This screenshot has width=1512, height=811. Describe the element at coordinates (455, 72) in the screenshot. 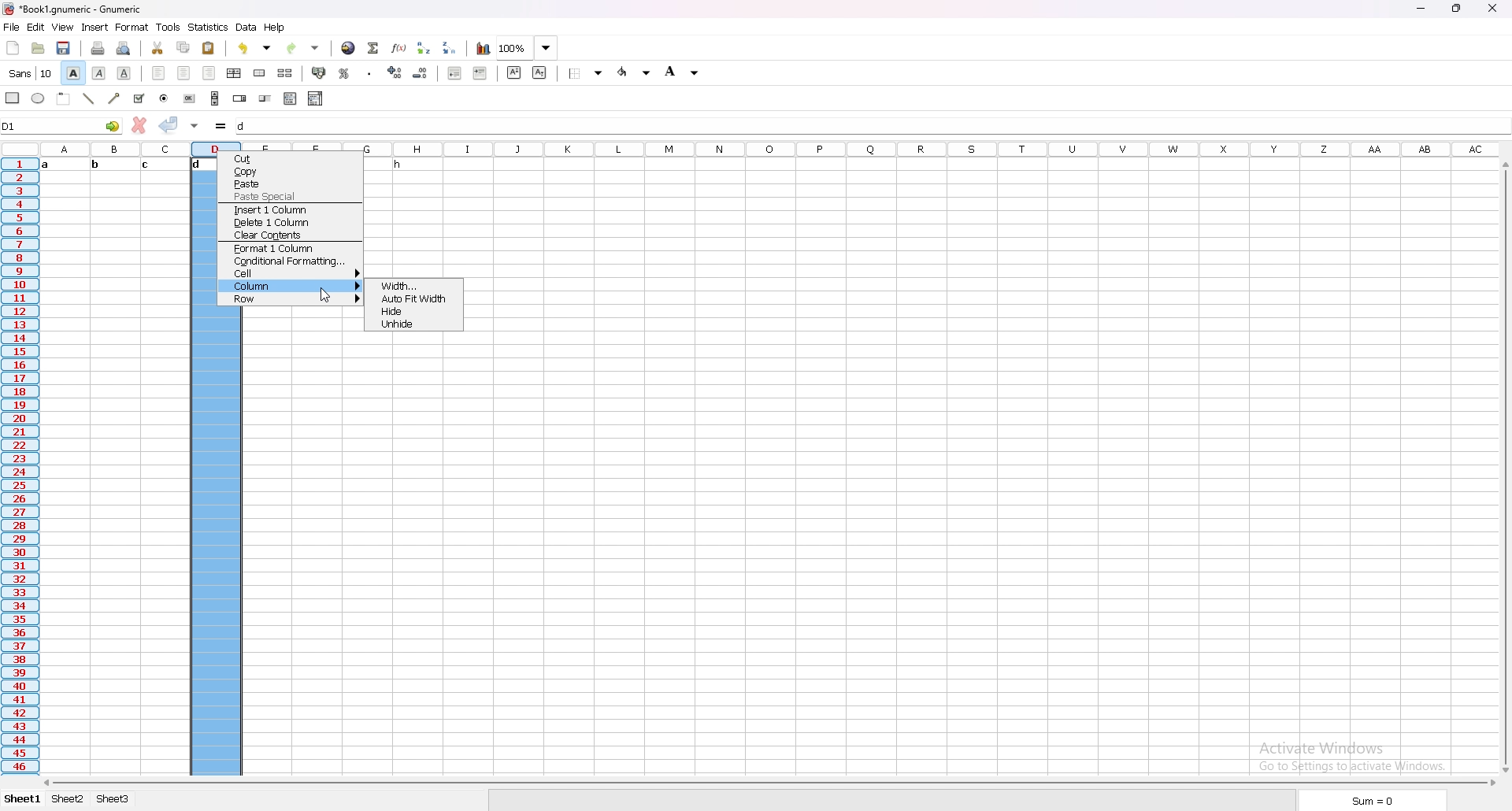

I see `decrease indent` at that location.